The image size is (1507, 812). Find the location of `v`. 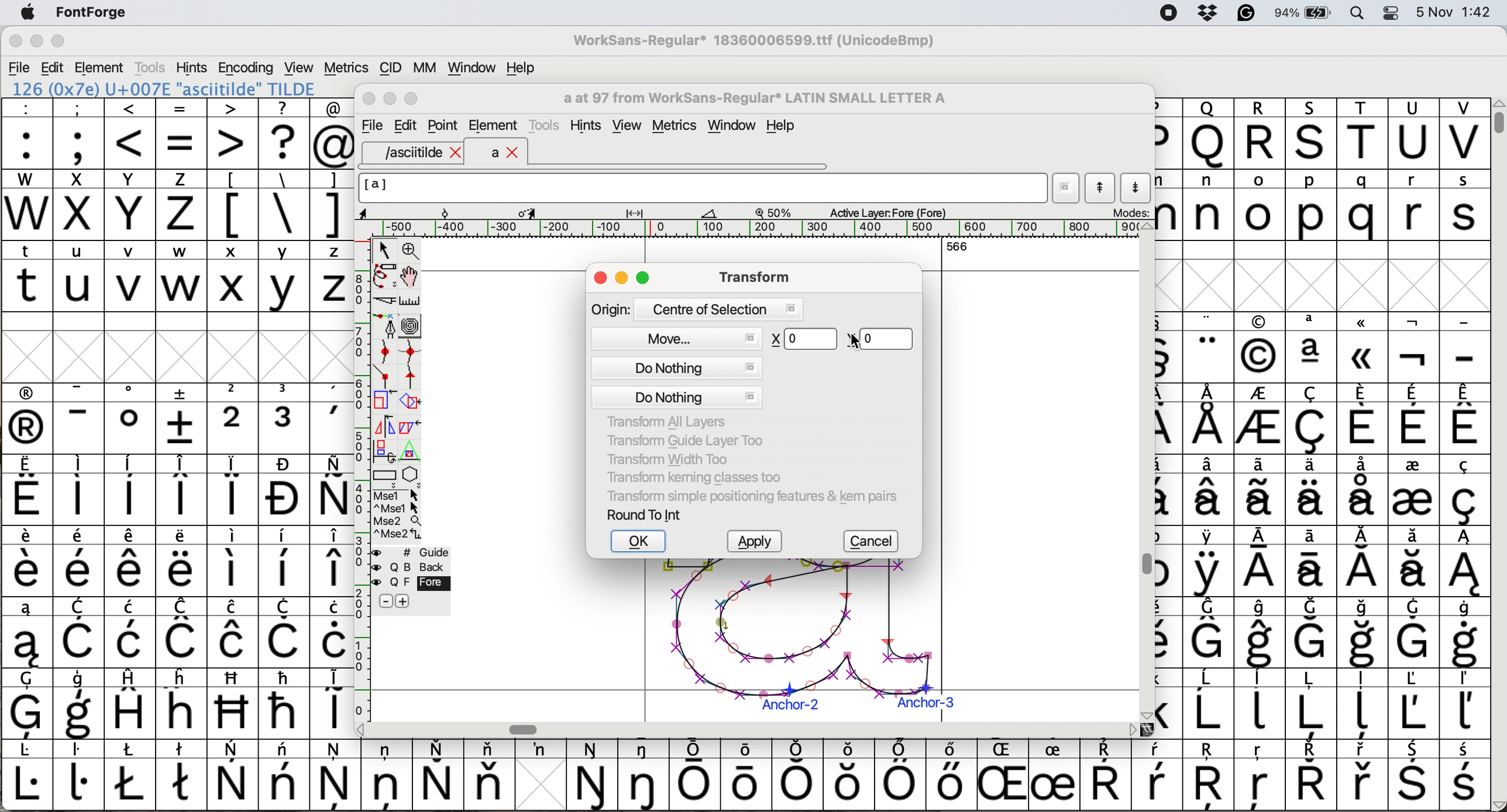

v is located at coordinates (130, 278).